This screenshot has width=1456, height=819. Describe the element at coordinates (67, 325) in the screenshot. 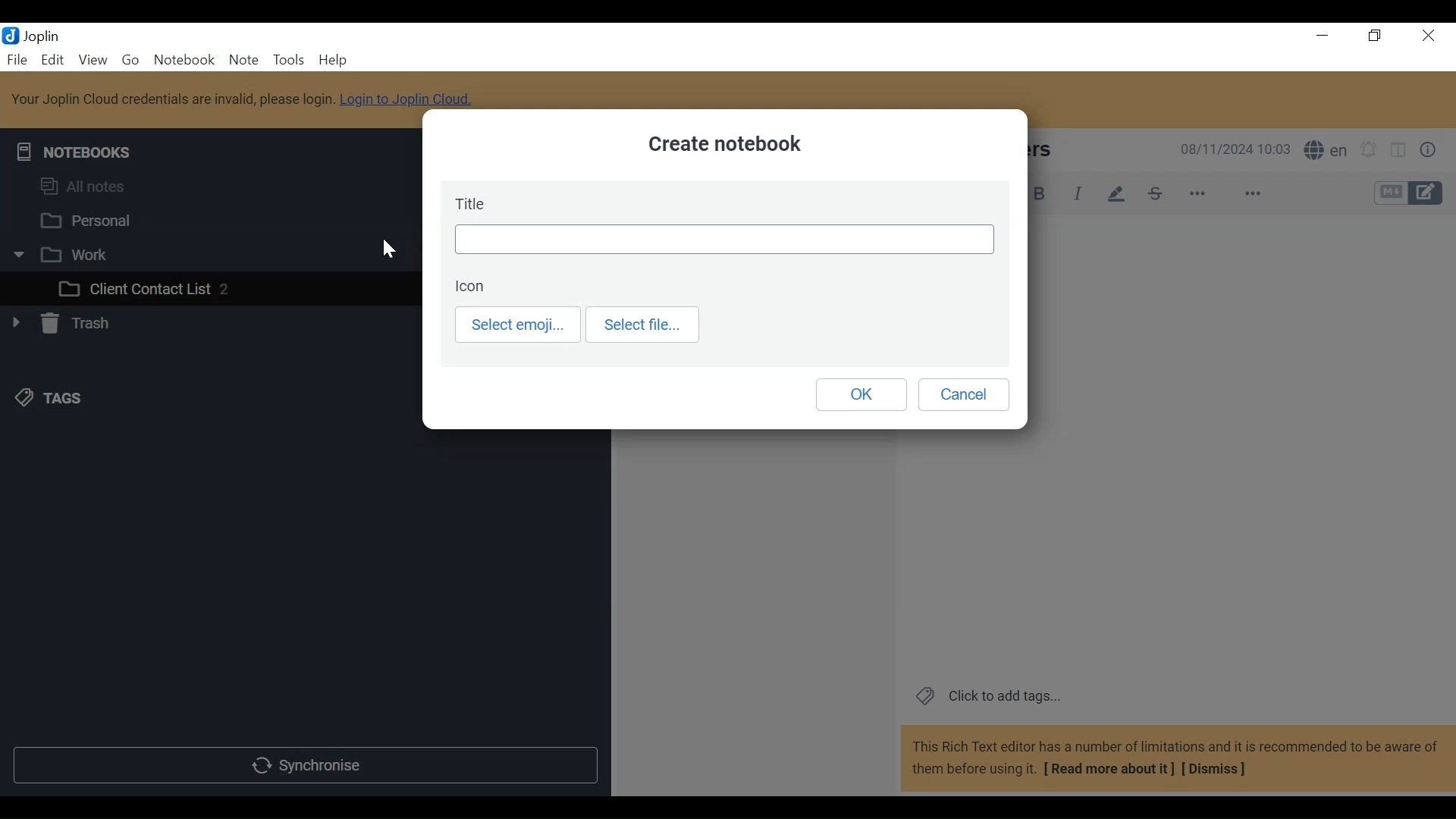

I see `Trash` at that location.